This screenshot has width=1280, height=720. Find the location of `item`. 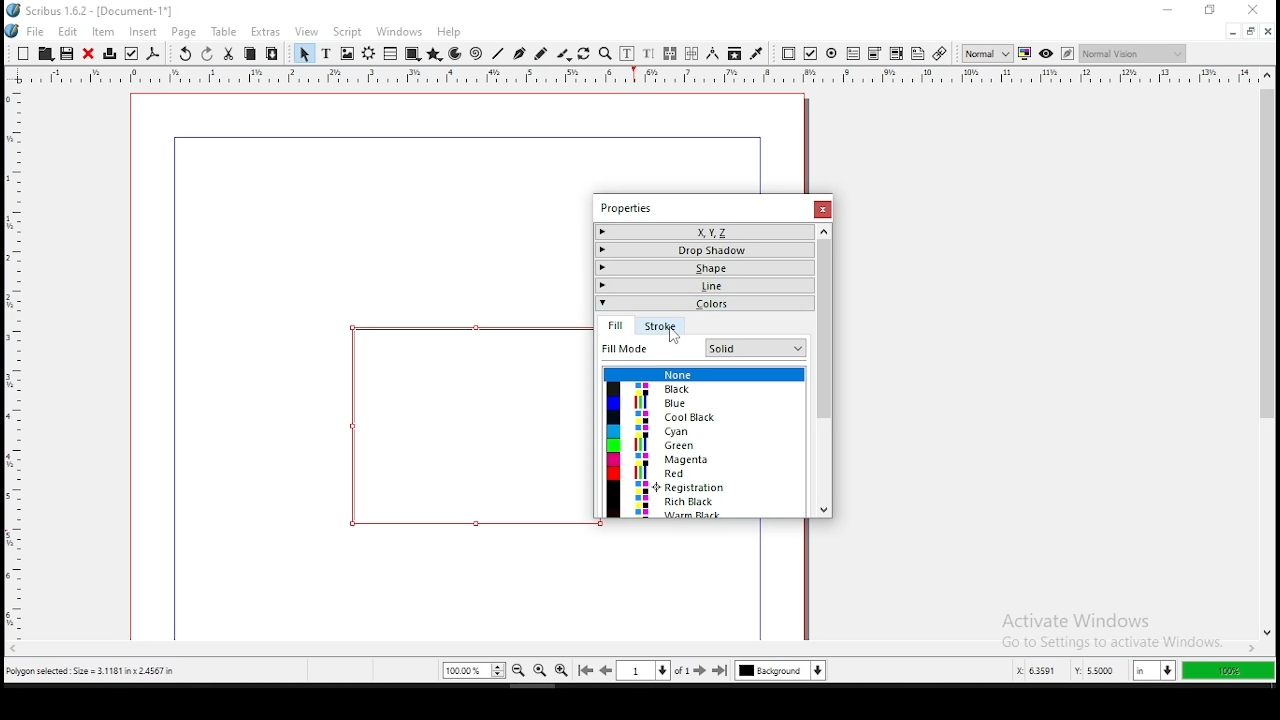

item is located at coordinates (103, 31).